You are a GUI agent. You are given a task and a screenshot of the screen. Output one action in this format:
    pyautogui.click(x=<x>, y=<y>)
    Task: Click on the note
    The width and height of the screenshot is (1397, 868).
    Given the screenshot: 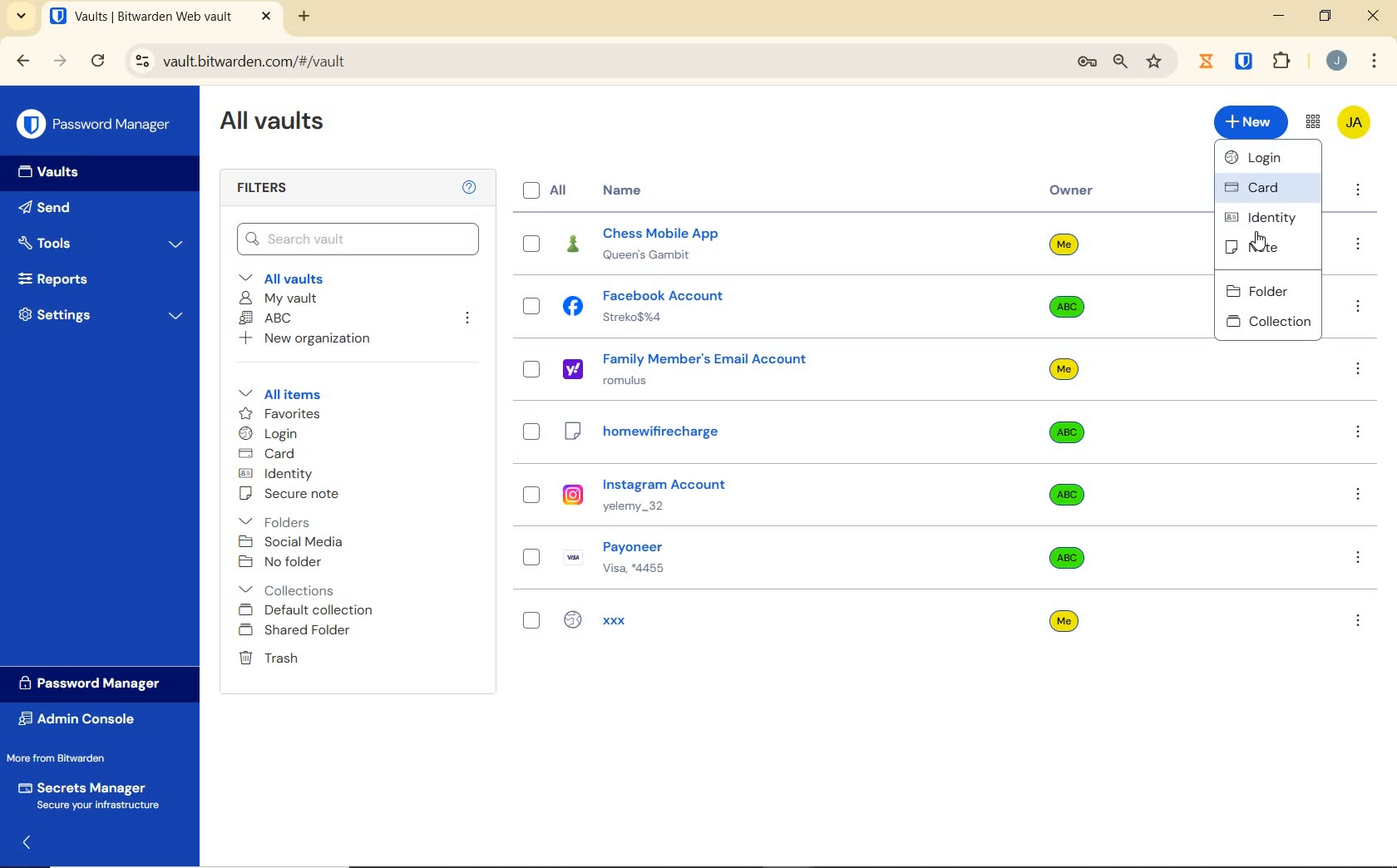 What is the action you would take?
    pyautogui.click(x=1267, y=248)
    